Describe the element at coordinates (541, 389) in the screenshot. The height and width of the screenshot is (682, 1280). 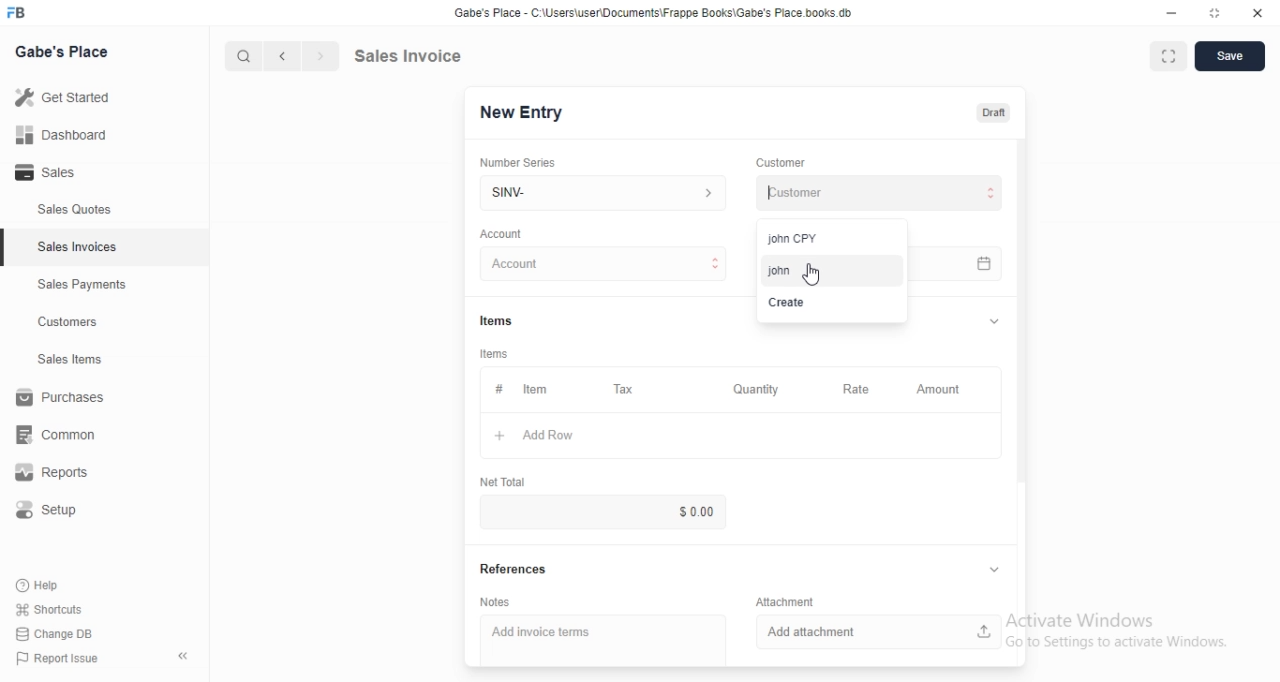
I see `tem` at that location.